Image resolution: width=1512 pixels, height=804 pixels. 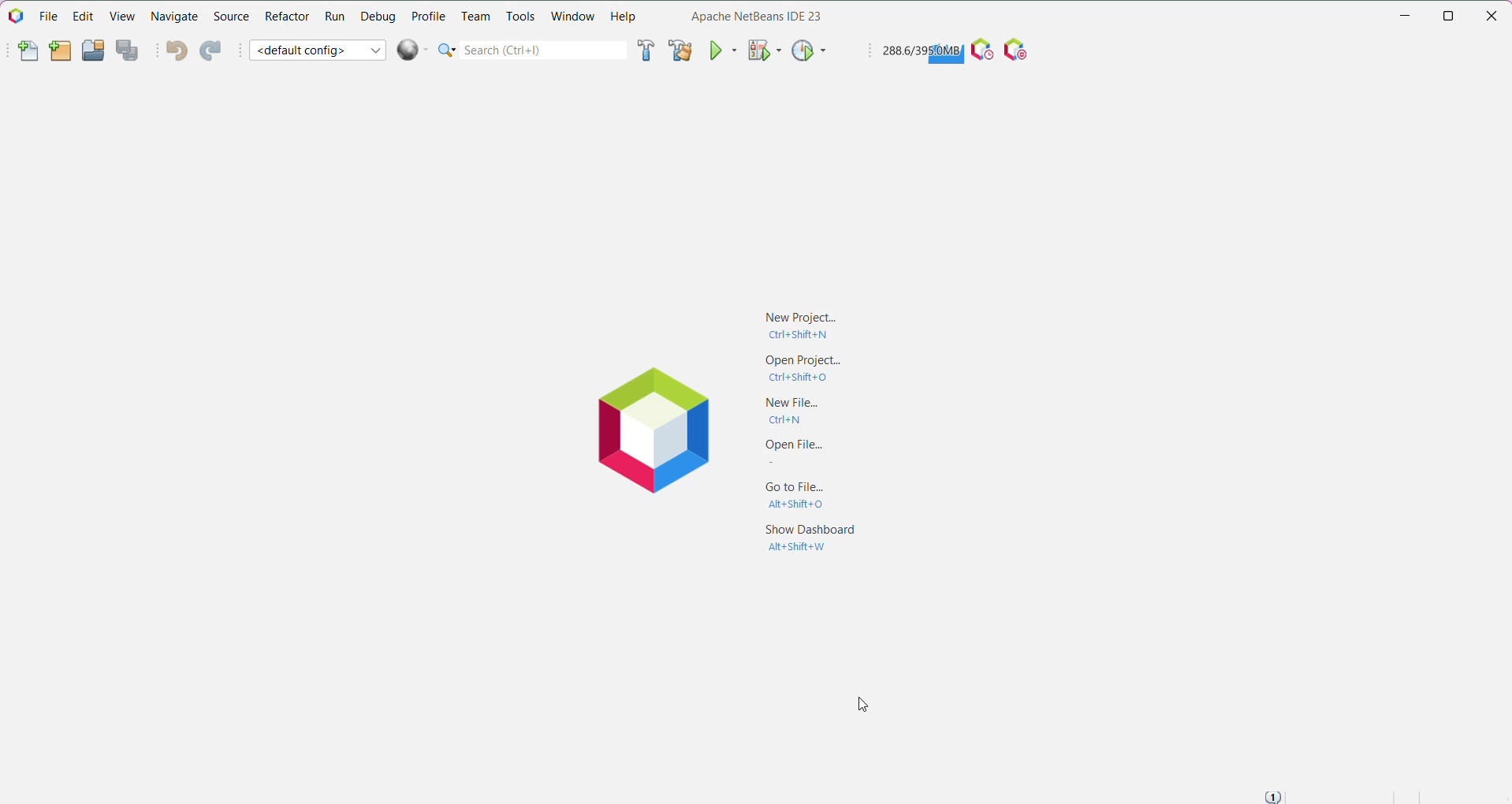 I want to click on Tools, so click(x=520, y=17).